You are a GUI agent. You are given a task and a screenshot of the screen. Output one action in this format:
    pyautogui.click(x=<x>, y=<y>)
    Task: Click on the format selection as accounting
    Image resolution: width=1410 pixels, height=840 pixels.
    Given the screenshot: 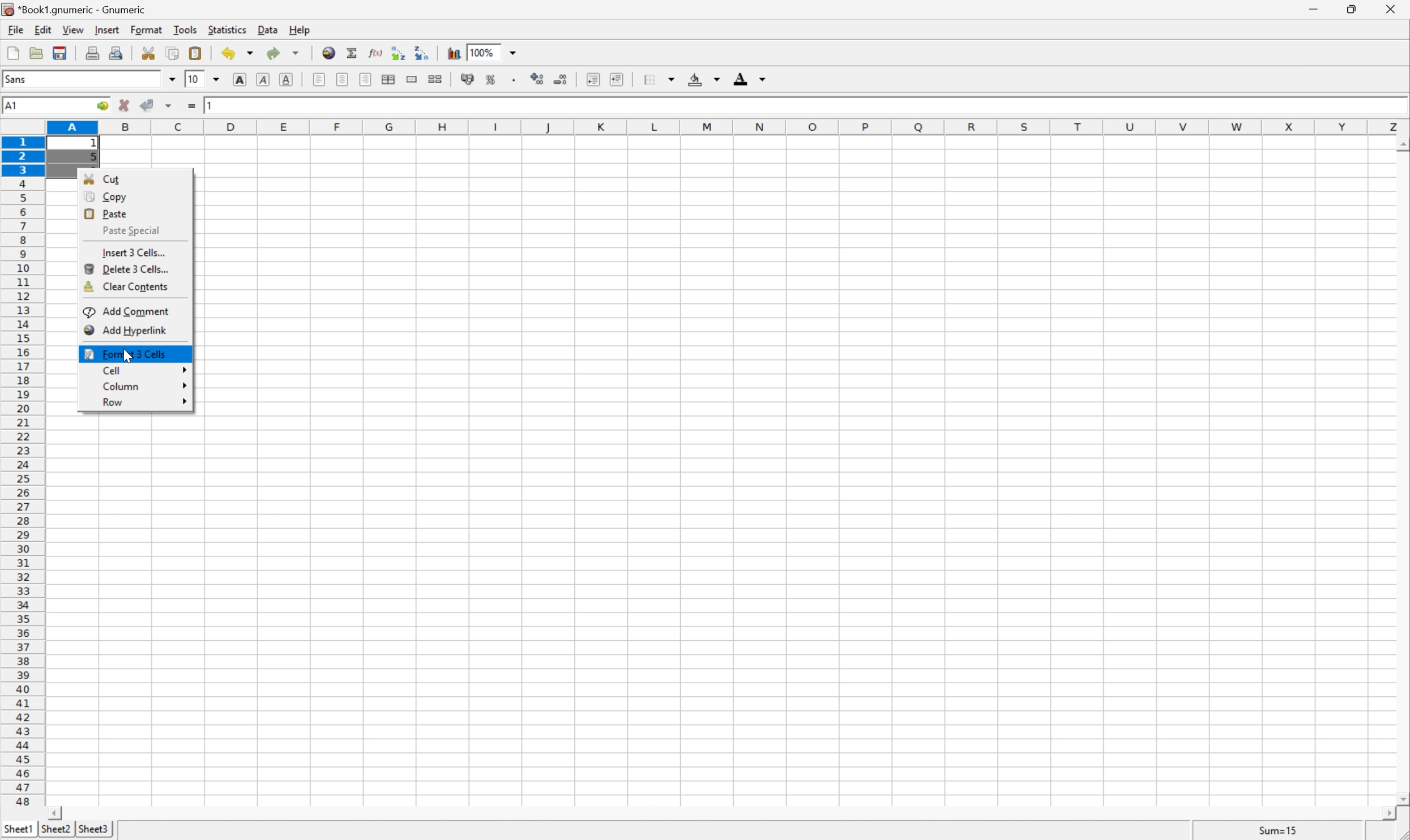 What is the action you would take?
    pyautogui.click(x=468, y=79)
    